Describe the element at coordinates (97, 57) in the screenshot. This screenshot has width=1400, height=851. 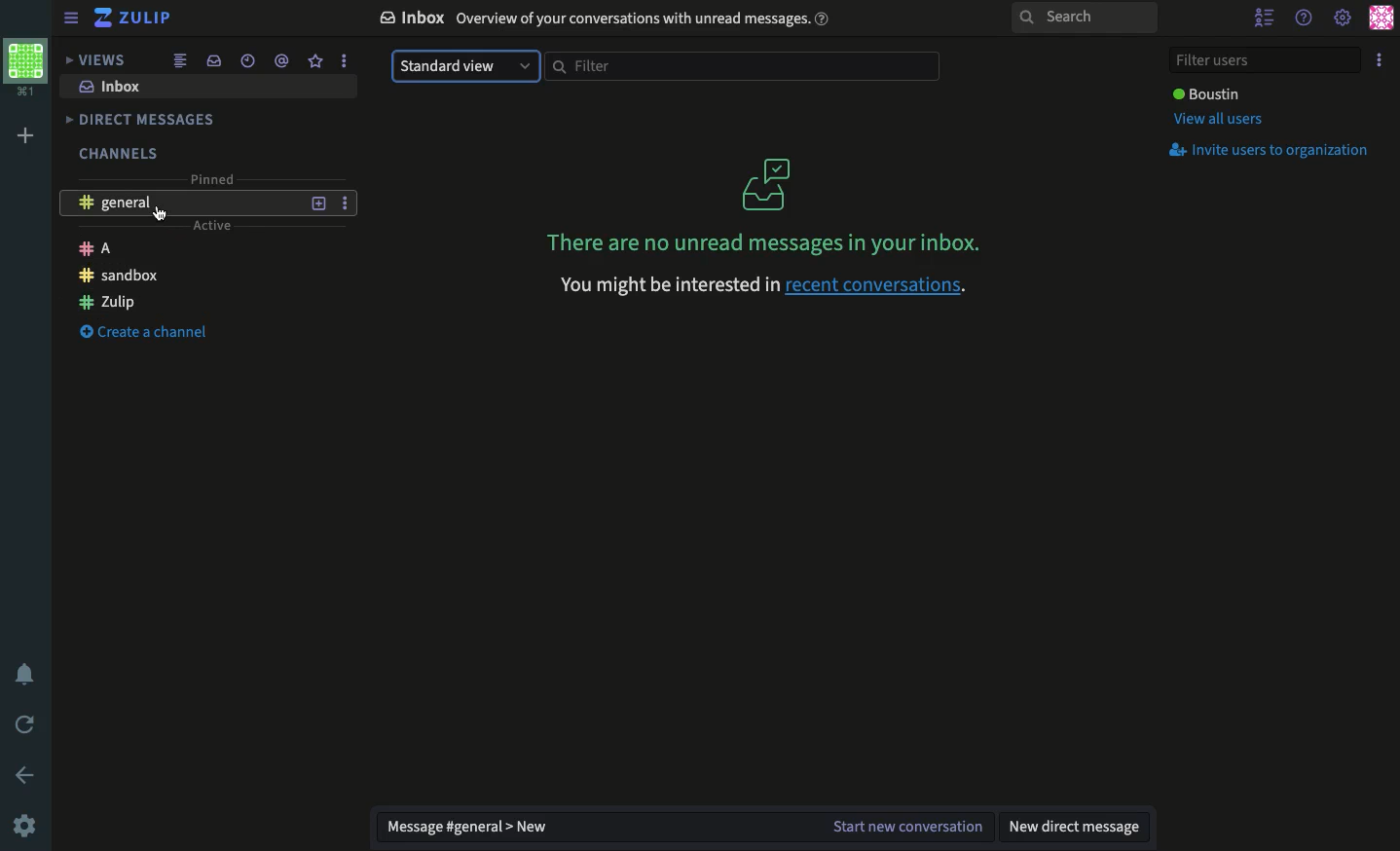
I see `Views` at that location.